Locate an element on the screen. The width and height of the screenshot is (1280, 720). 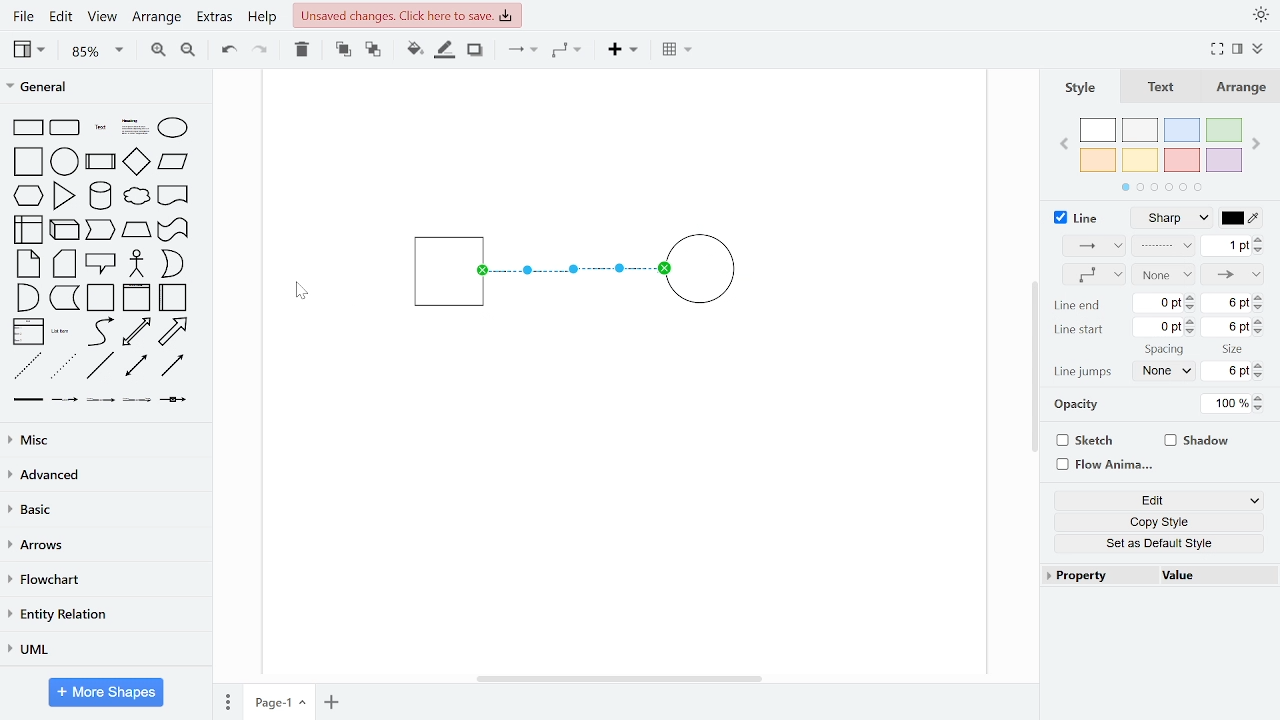
waypoints is located at coordinates (1093, 275).